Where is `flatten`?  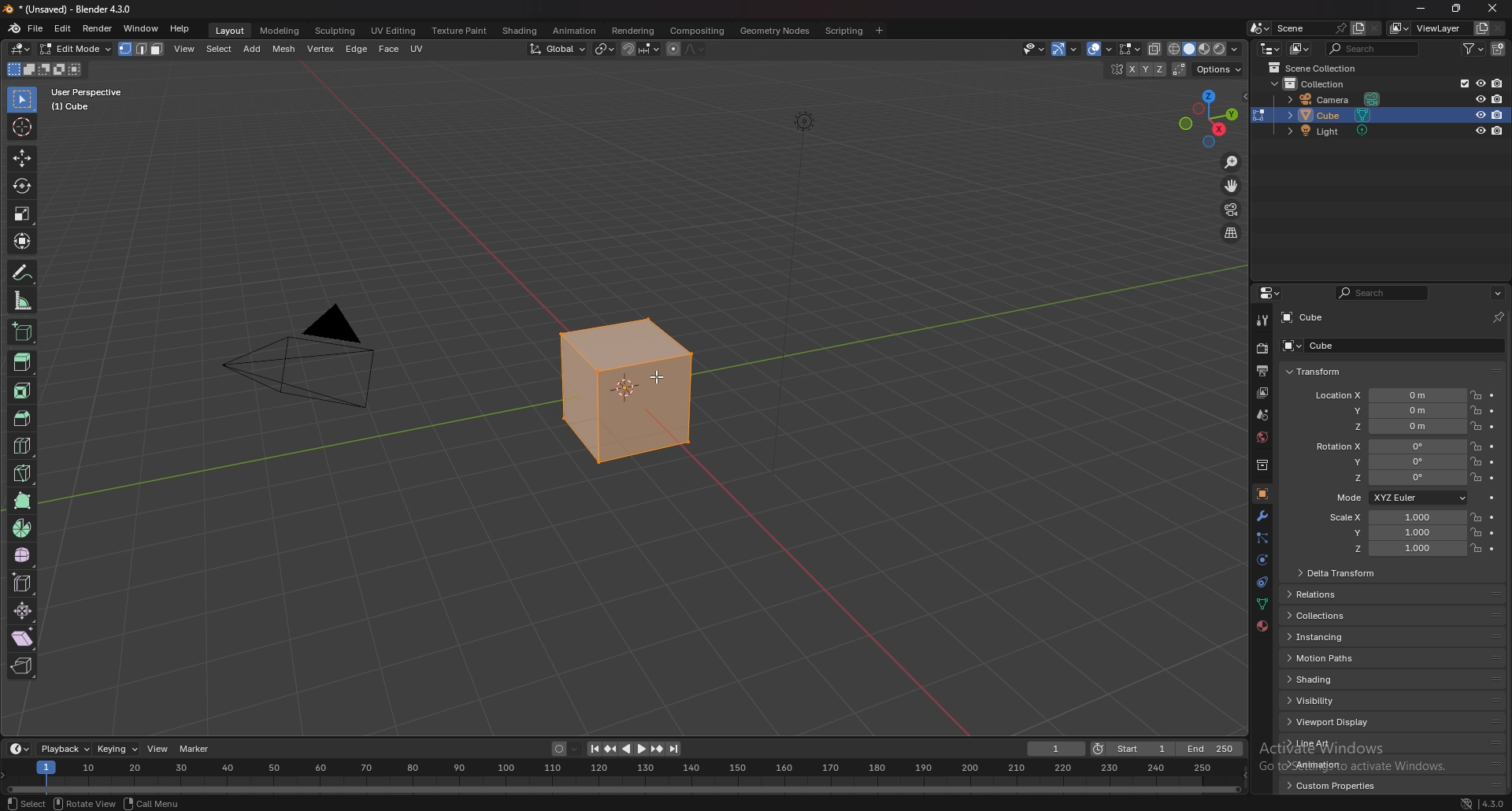
flatten is located at coordinates (23, 610).